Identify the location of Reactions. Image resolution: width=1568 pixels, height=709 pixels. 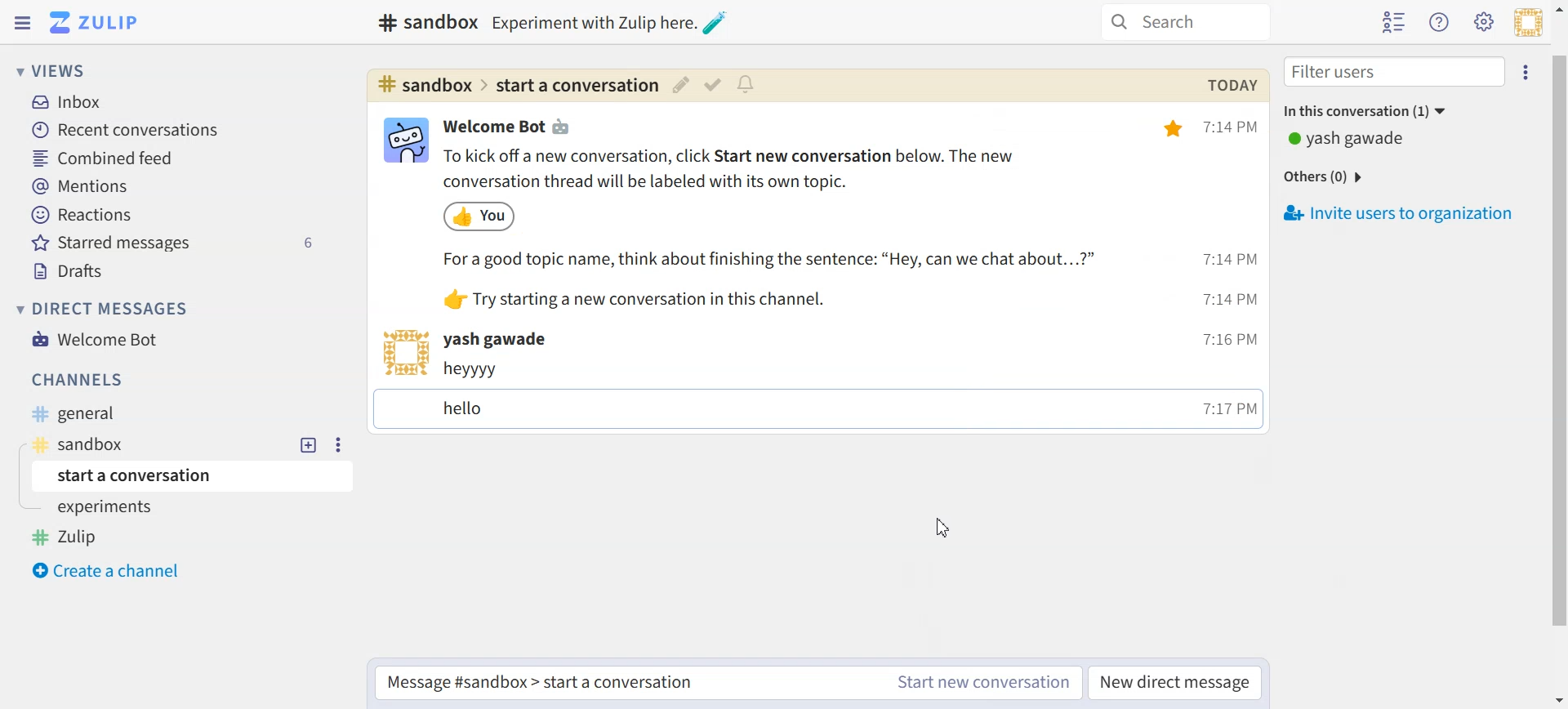
(83, 215).